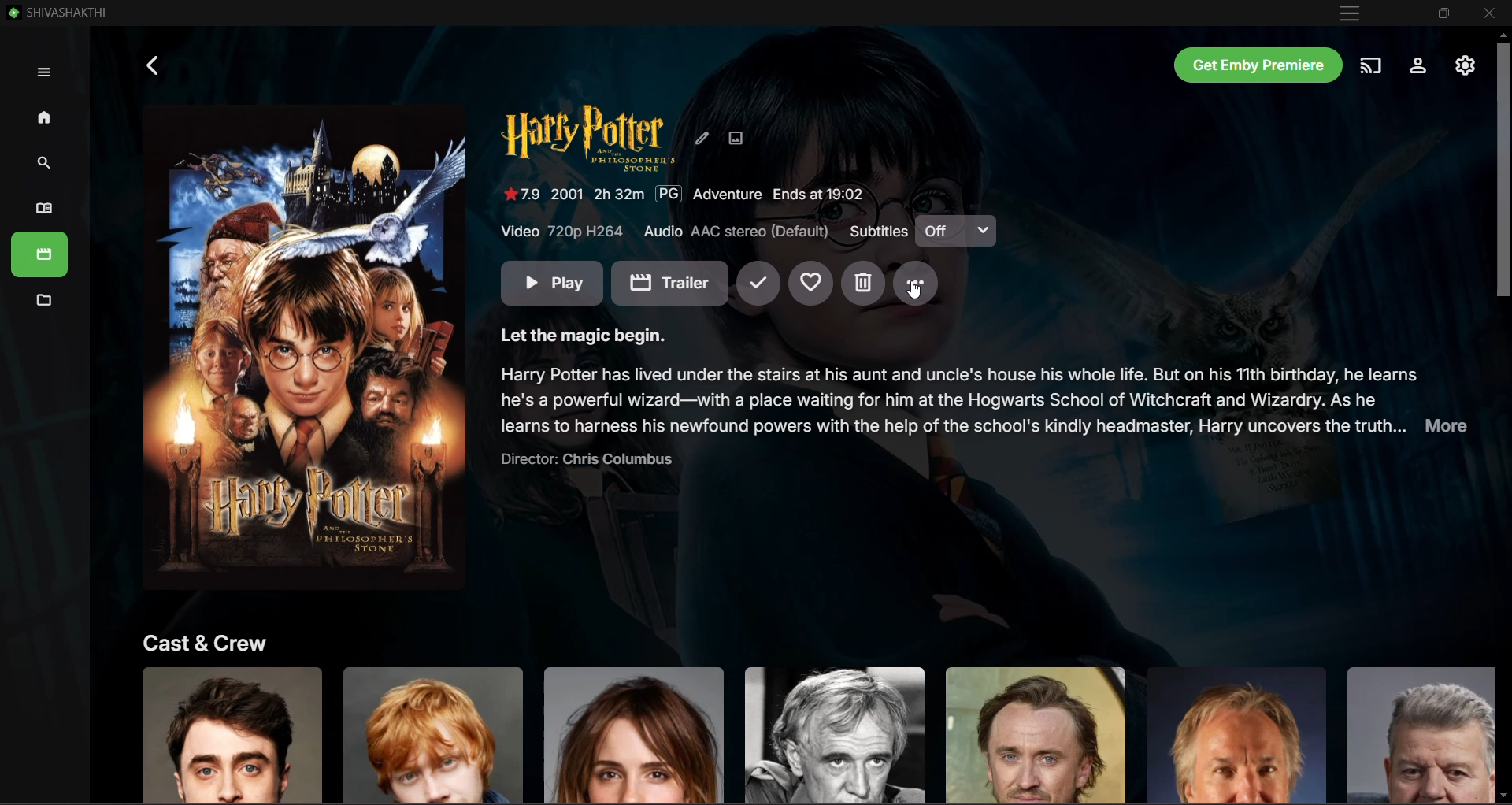  What do you see at coordinates (1501, 417) in the screenshot?
I see `Vertical Scroll Bar` at bounding box center [1501, 417].